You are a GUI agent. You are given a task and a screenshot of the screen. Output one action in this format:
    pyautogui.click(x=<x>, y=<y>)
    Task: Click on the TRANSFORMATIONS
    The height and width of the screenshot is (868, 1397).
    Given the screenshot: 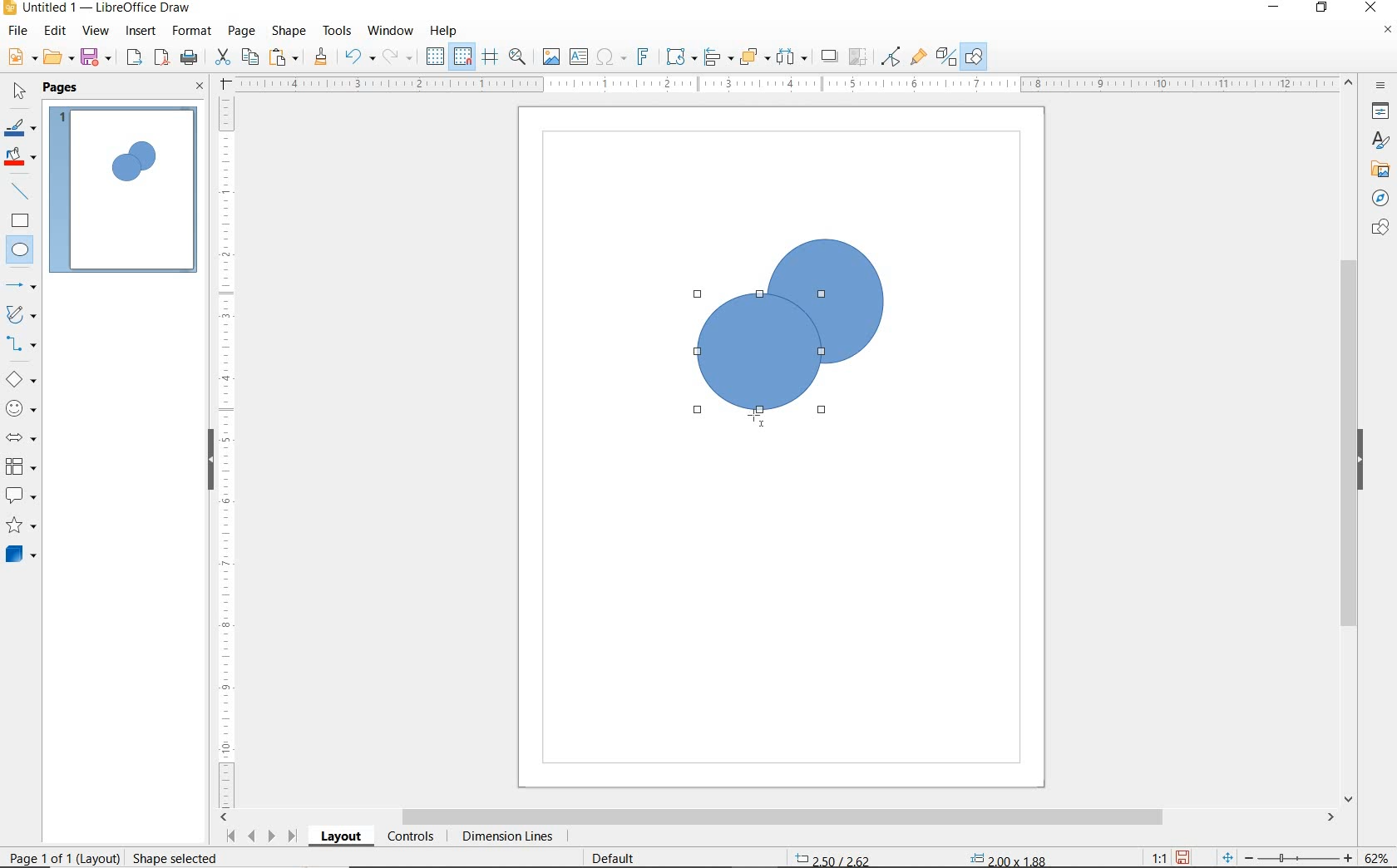 What is the action you would take?
    pyautogui.click(x=679, y=57)
    